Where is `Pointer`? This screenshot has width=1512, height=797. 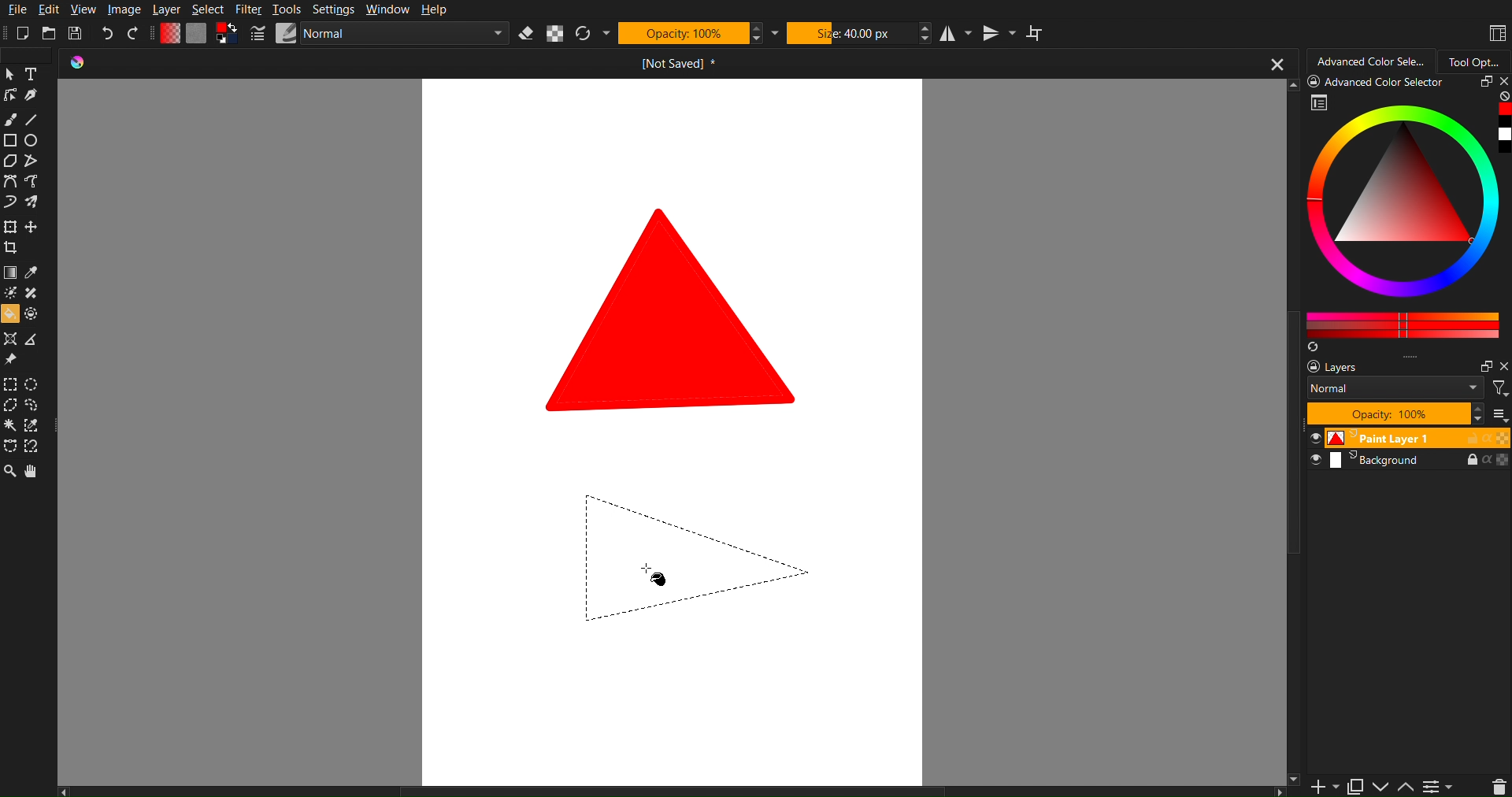 Pointer is located at coordinates (9, 73).